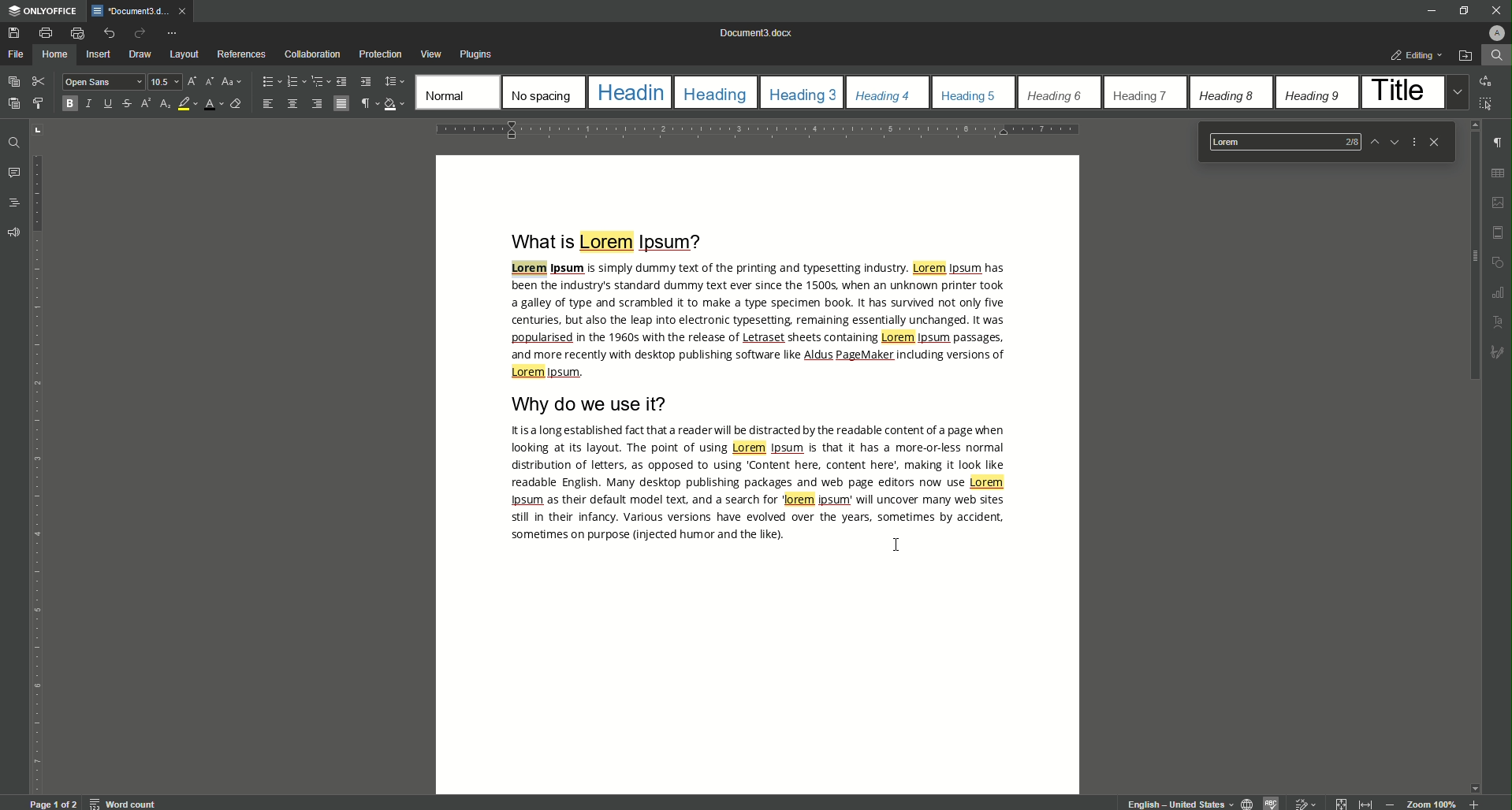 This screenshot has height=810, width=1512. I want to click on Non-printing Characters, so click(367, 105).